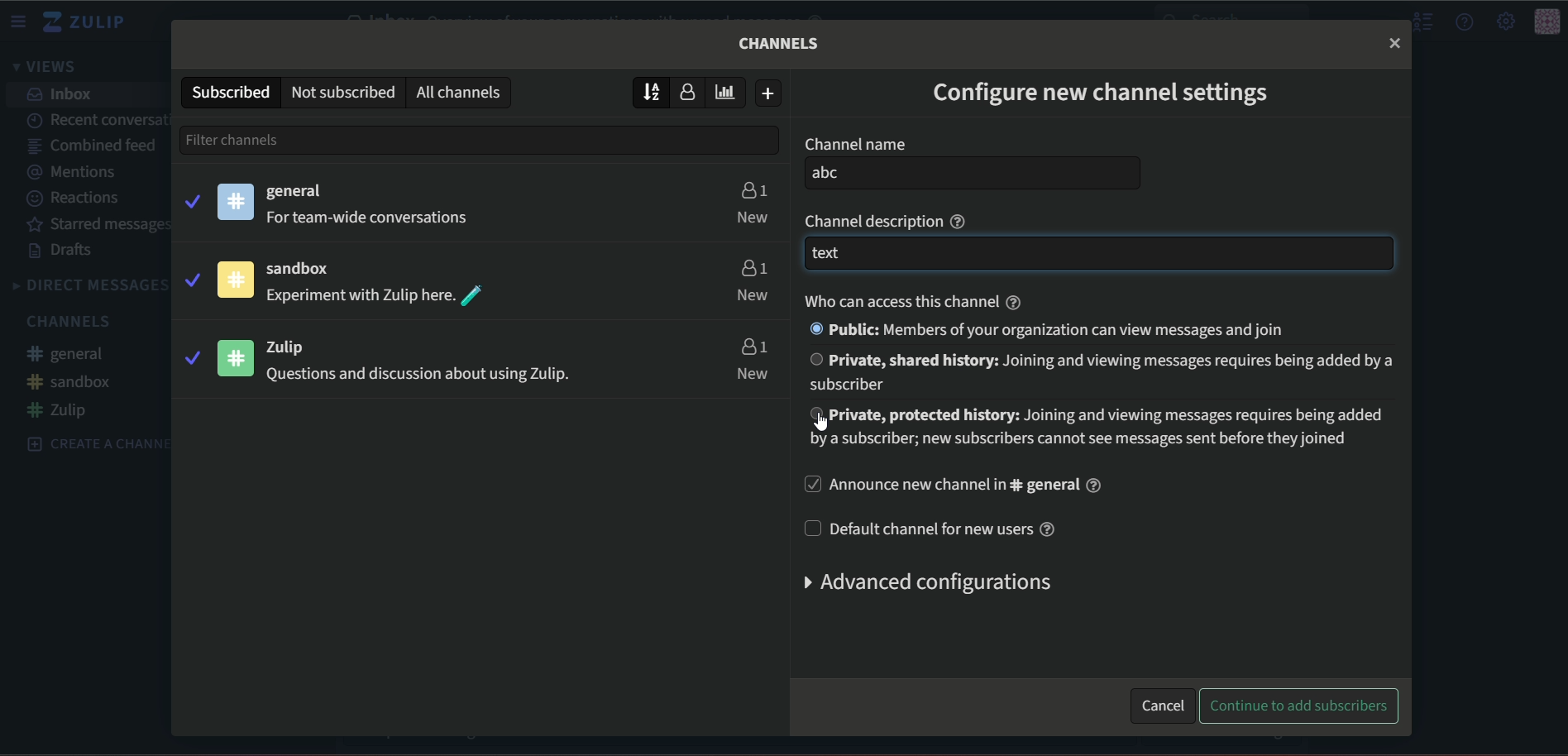  I want to click on #sandbox, so click(70, 381).